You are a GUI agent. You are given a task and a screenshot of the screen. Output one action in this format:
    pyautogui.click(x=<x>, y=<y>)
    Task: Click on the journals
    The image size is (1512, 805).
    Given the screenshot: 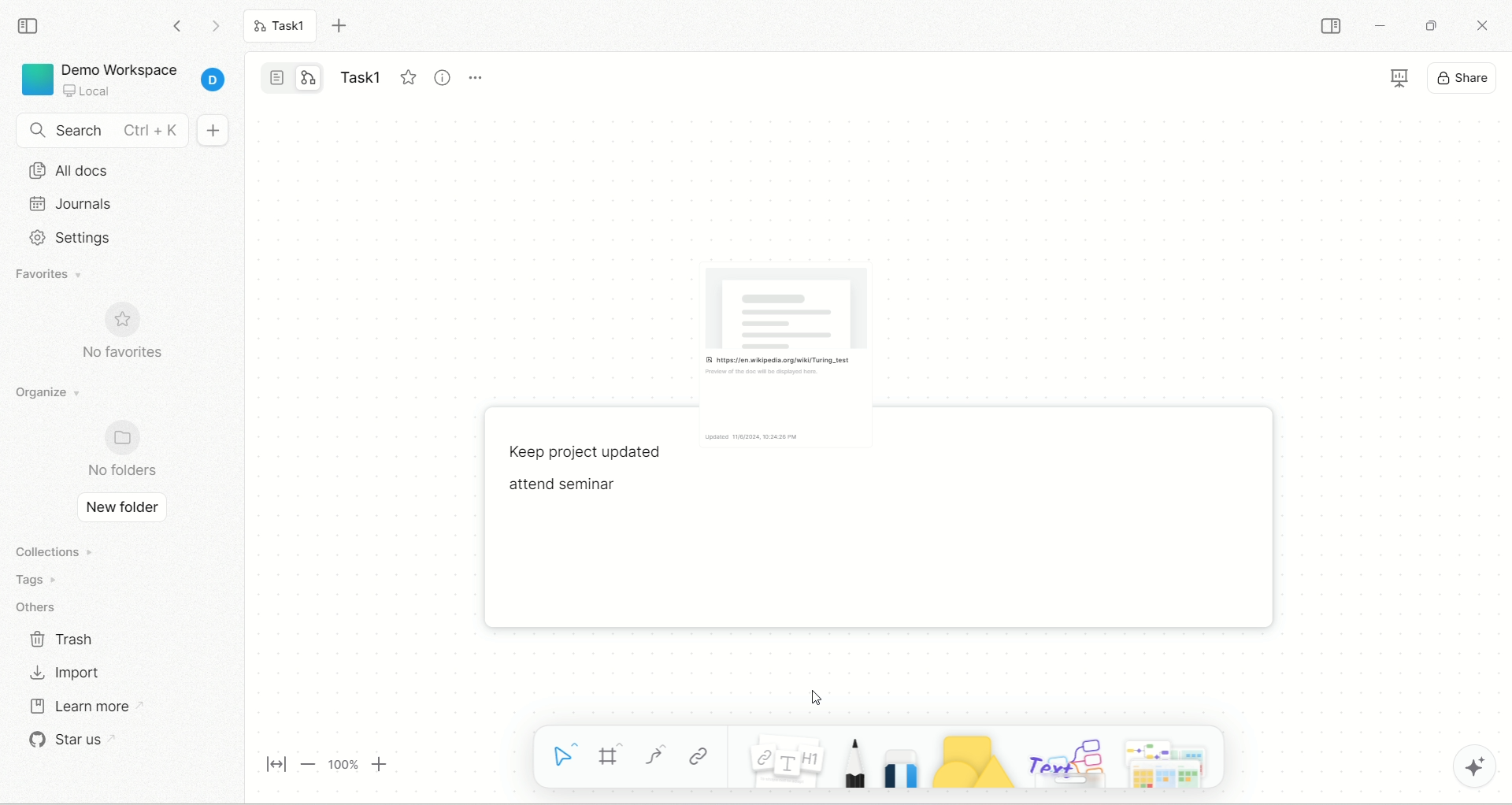 What is the action you would take?
    pyautogui.click(x=112, y=204)
    